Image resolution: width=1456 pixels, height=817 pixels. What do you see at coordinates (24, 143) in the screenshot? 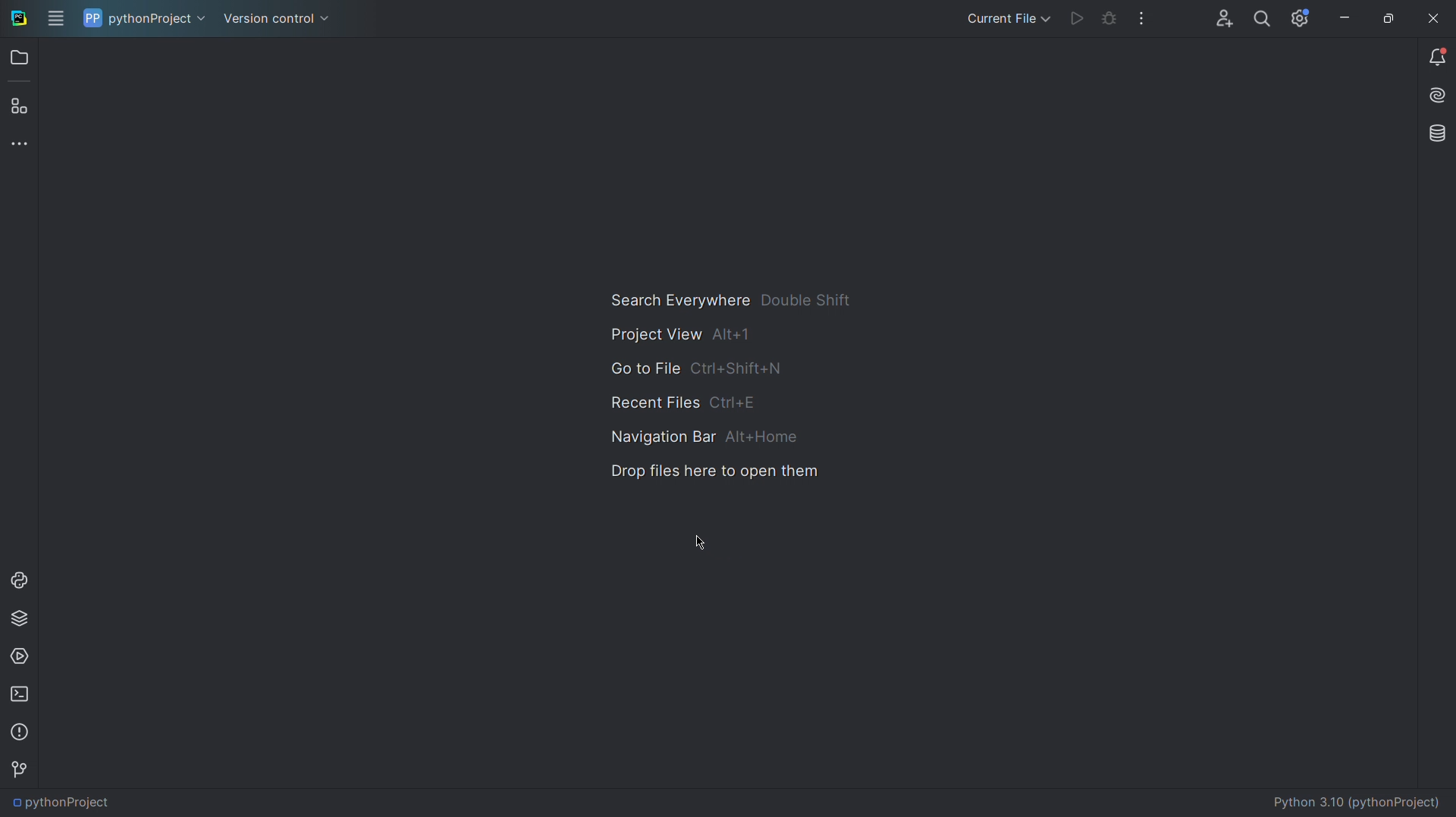
I see `More` at bounding box center [24, 143].